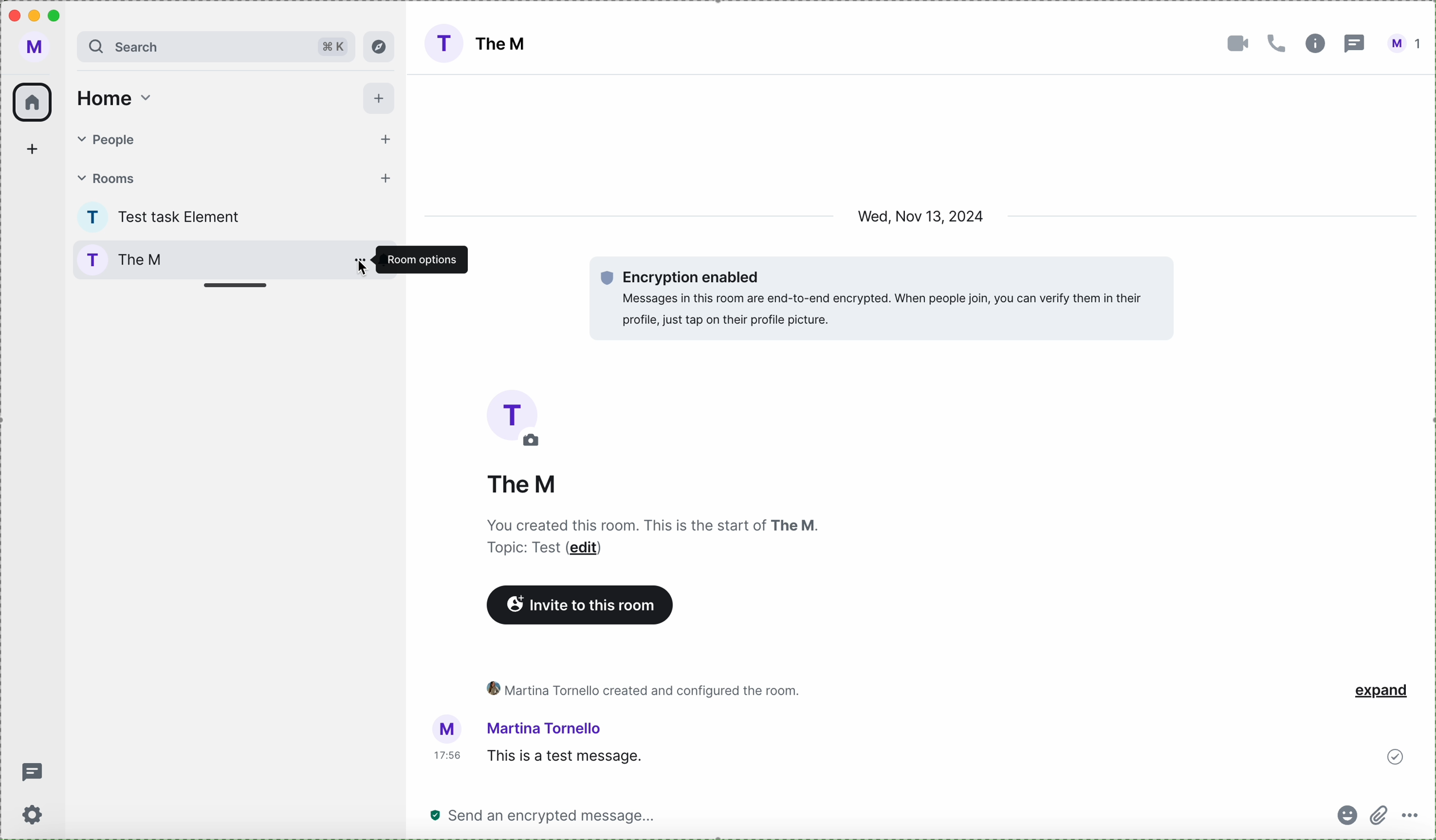 This screenshot has width=1436, height=840. Describe the element at coordinates (551, 728) in the screenshot. I see `user` at that location.